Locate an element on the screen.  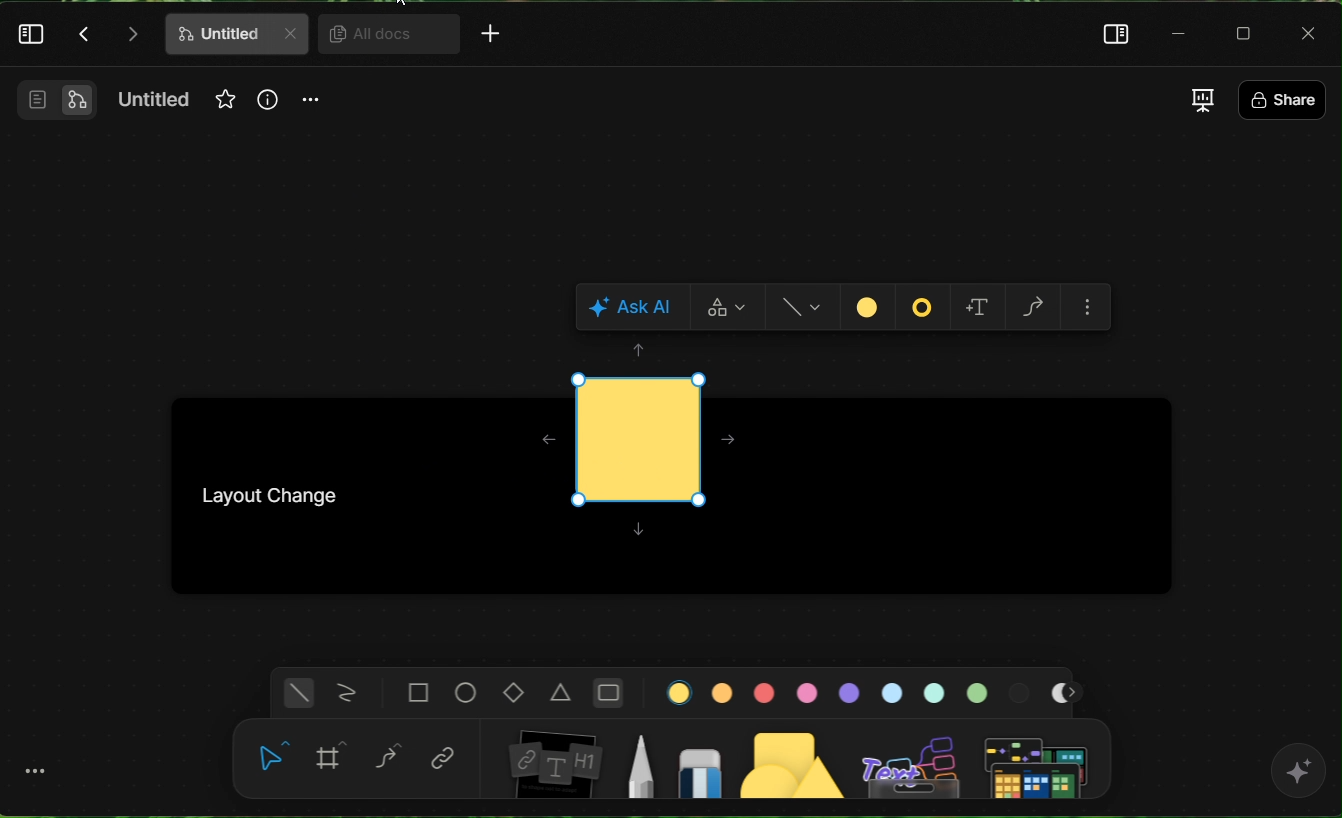
board is located at coordinates (553, 759).